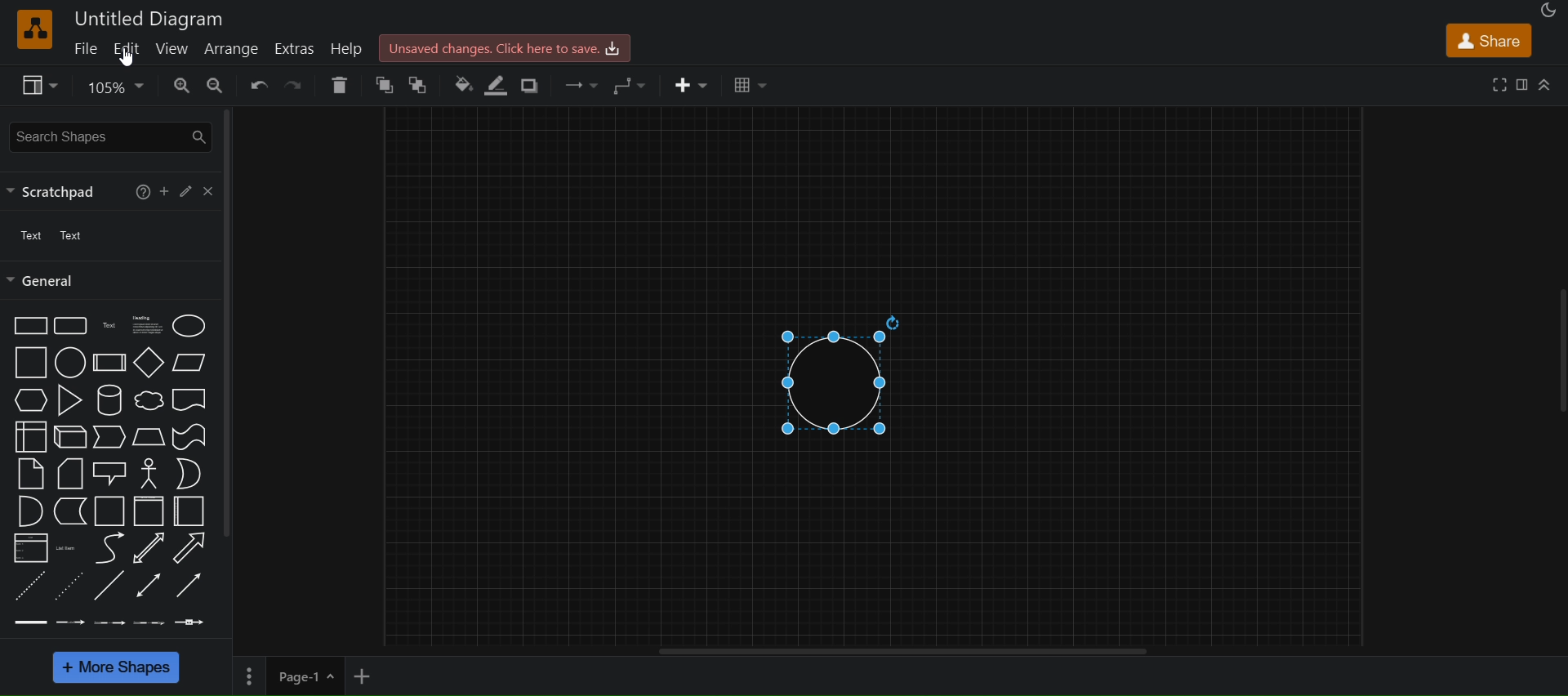 The width and height of the screenshot is (1568, 696). Describe the element at coordinates (69, 324) in the screenshot. I see `rounded rectangle` at that location.